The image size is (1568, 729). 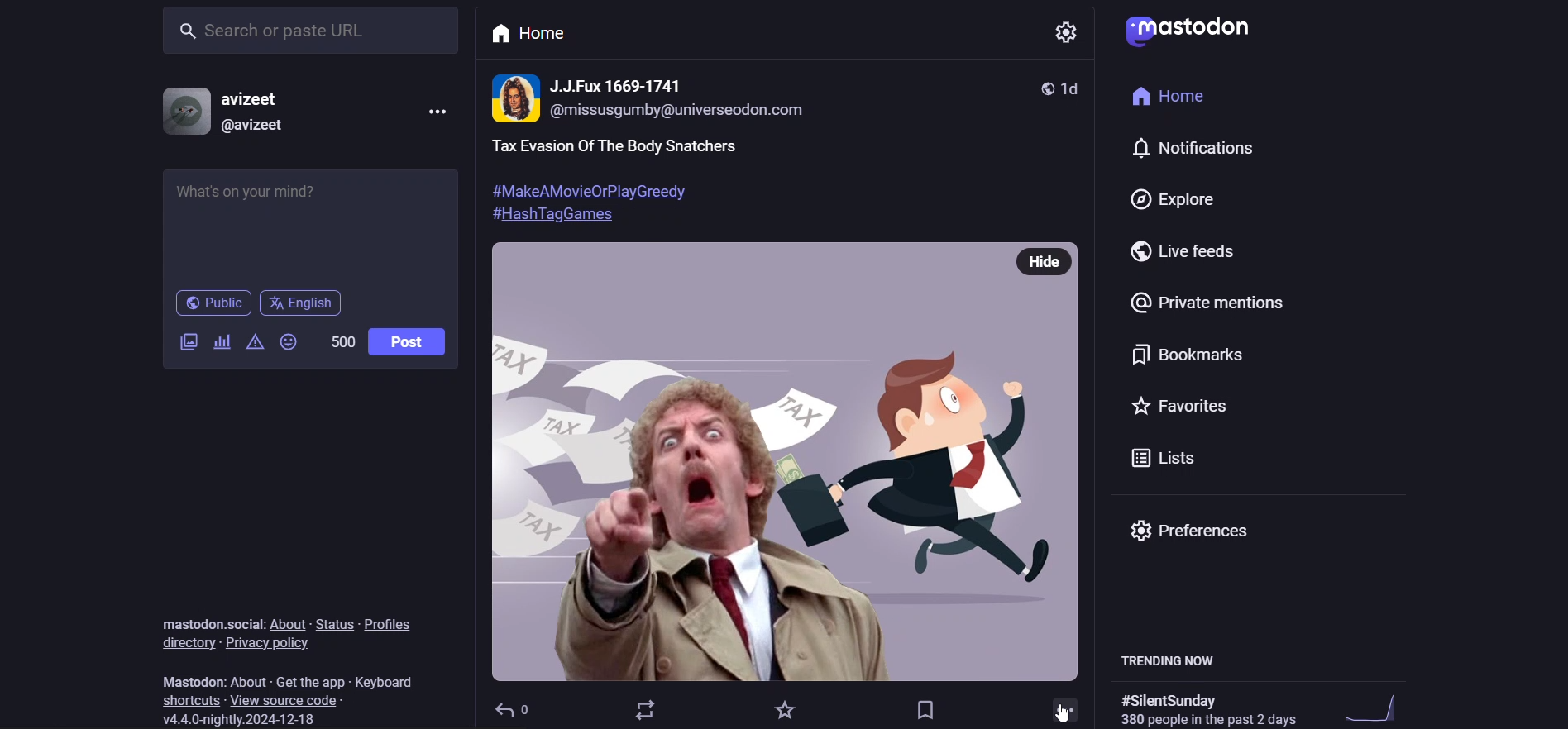 What do you see at coordinates (1064, 708) in the screenshot?
I see `more` at bounding box center [1064, 708].